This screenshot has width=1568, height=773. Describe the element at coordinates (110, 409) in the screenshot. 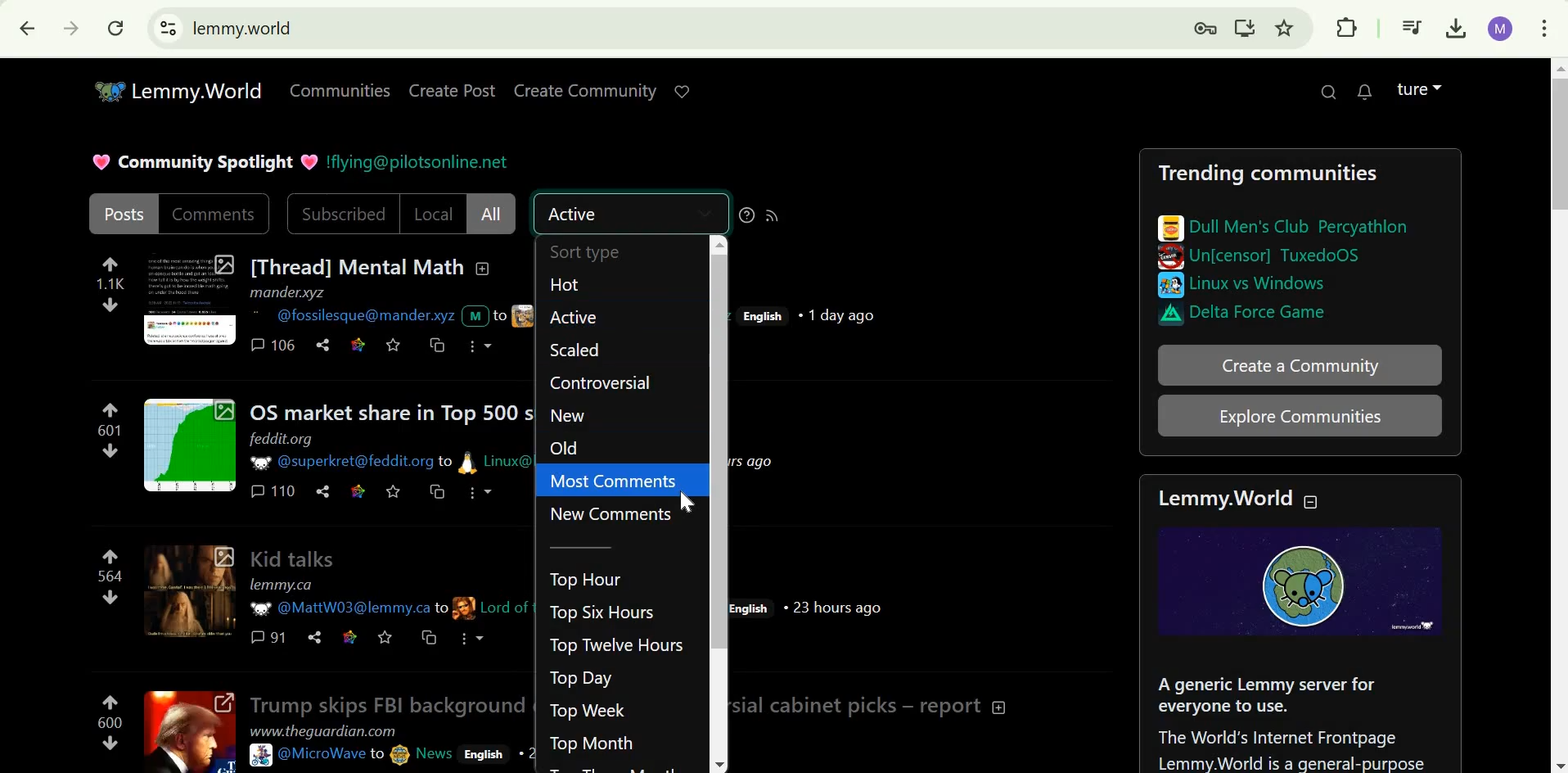

I see `upvote` at that location.